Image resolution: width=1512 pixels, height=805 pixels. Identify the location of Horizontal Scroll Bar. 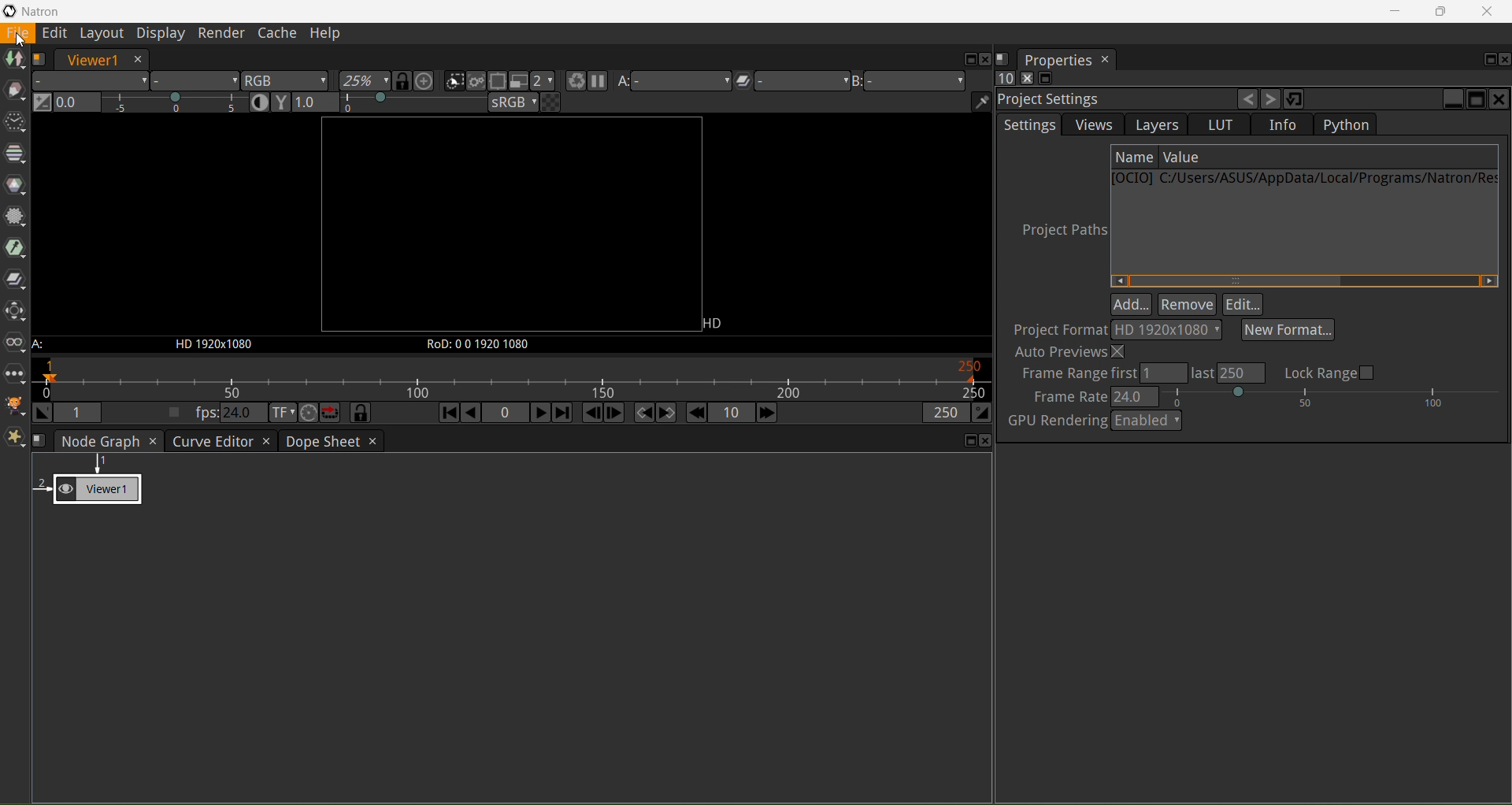
(1304, 281).